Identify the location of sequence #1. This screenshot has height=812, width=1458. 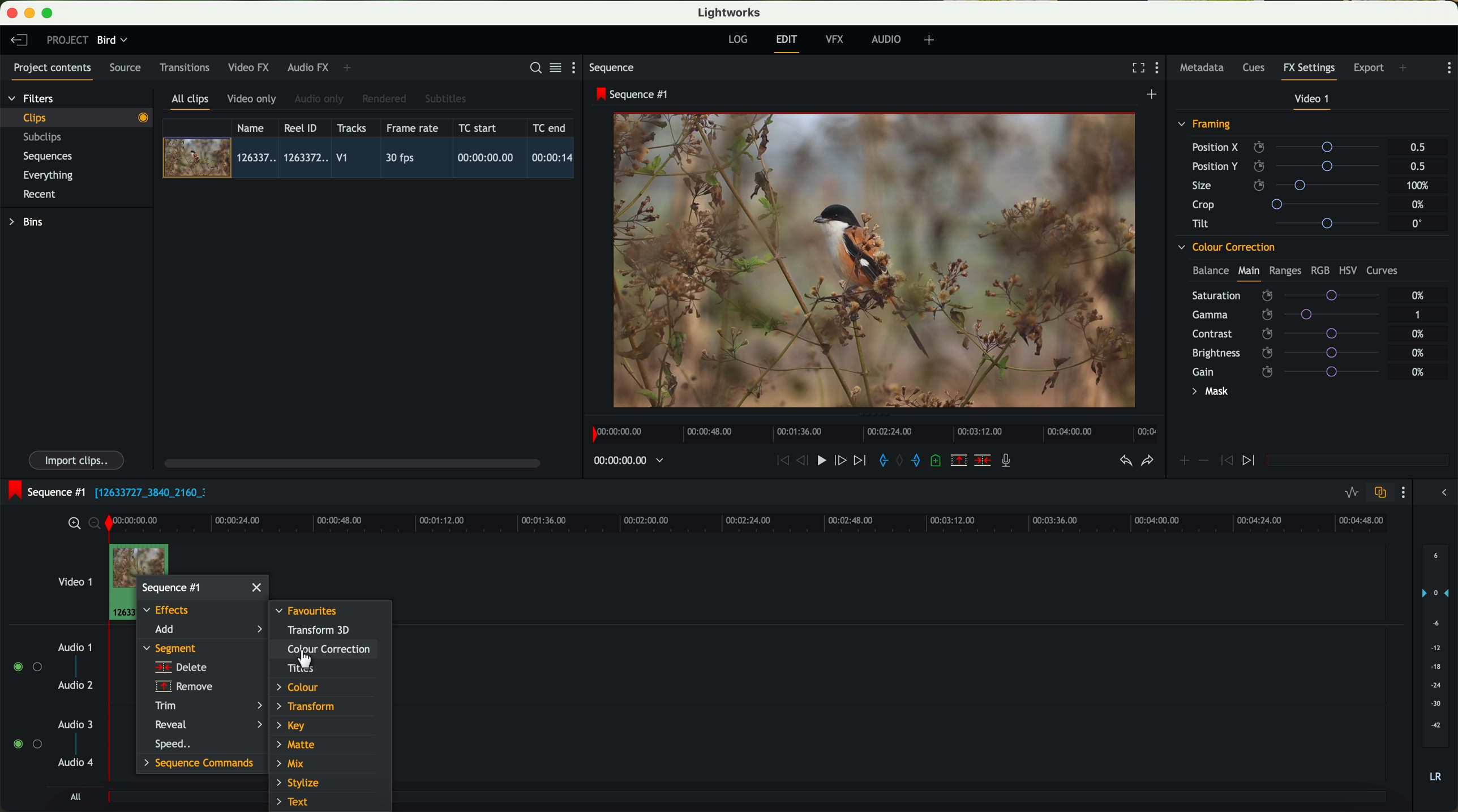
(44, 492).